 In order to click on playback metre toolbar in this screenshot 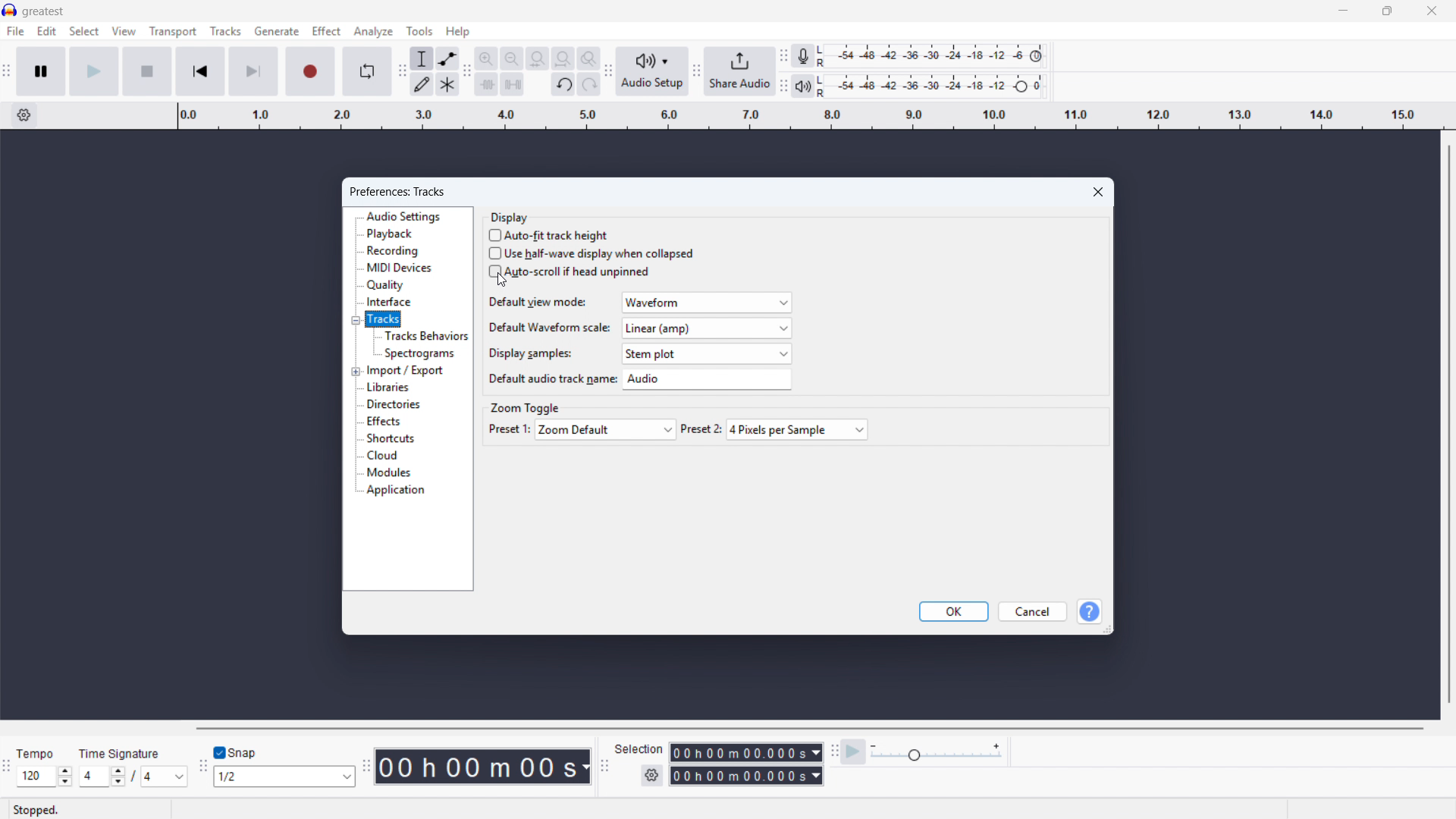, I will do `click(783, 87)`.